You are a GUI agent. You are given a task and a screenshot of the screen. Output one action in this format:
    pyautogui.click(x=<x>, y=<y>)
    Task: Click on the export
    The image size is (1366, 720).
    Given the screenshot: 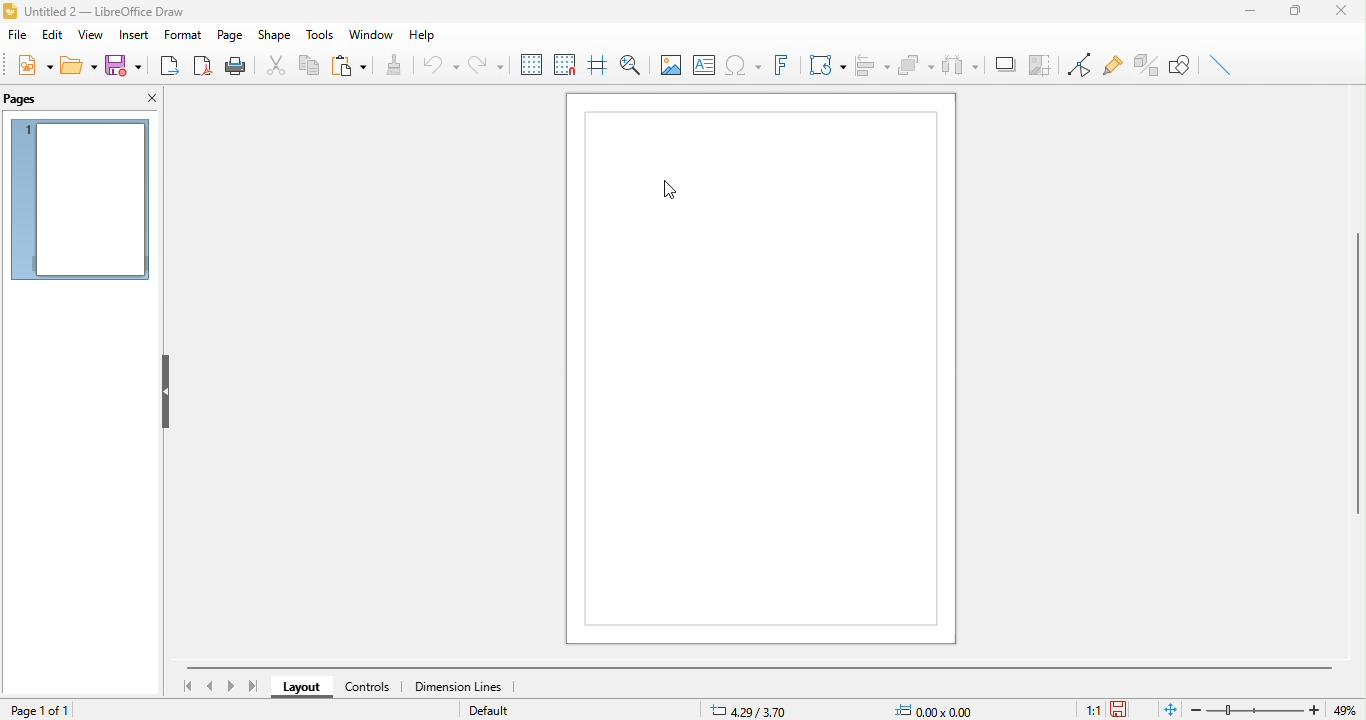 What is the action you would take?
    pyautogui.click(x=167, y=66)
    